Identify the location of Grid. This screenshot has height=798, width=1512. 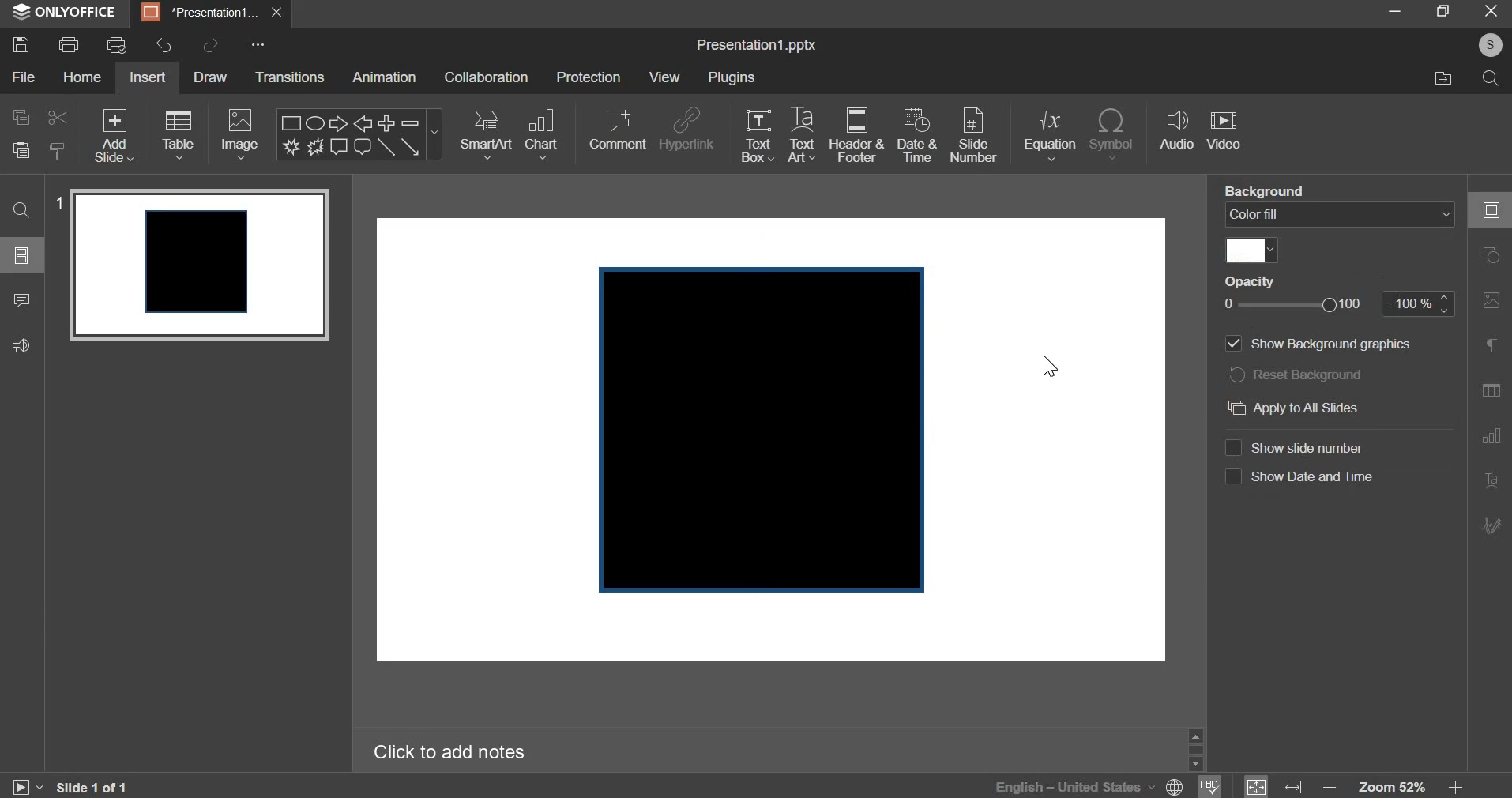
(1491, 392).